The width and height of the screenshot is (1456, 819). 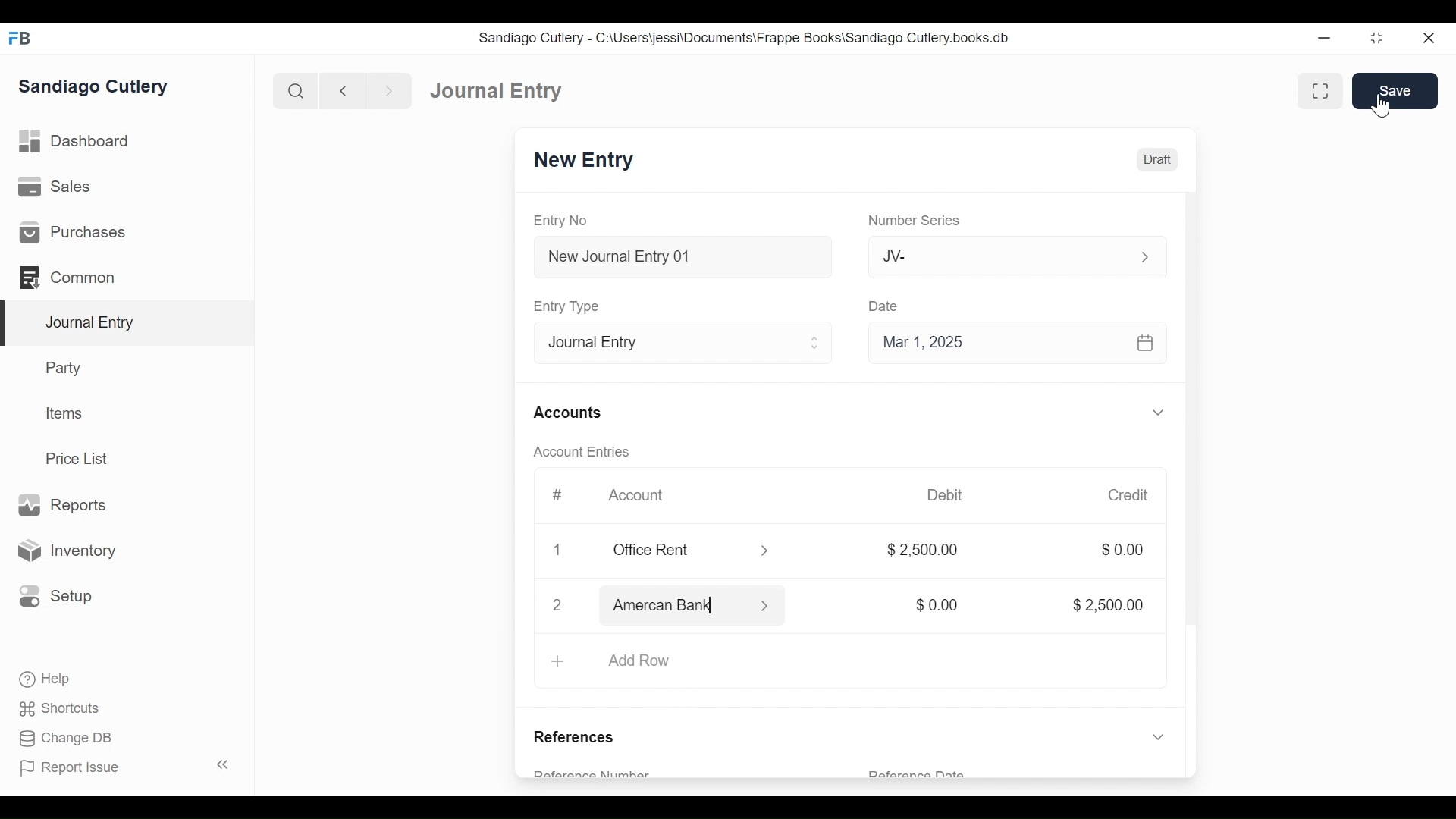 What do you see at coordinates (948, 495) in the screenshot?
I see `Debit` at bounding box center [948, 495].